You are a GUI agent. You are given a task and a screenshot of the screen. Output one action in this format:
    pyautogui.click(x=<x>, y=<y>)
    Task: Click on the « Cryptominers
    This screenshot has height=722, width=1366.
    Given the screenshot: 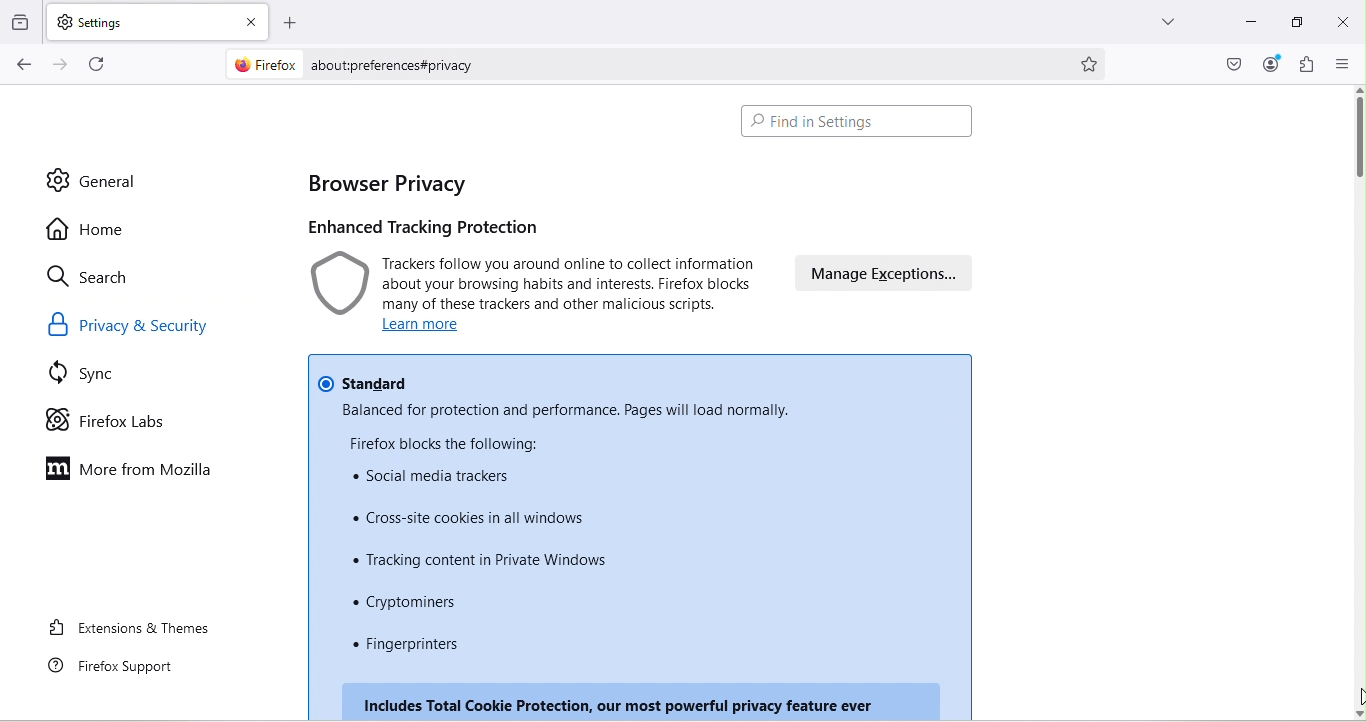 What is the action you would take?
    pyautogui.click(x=415, y=604)
    